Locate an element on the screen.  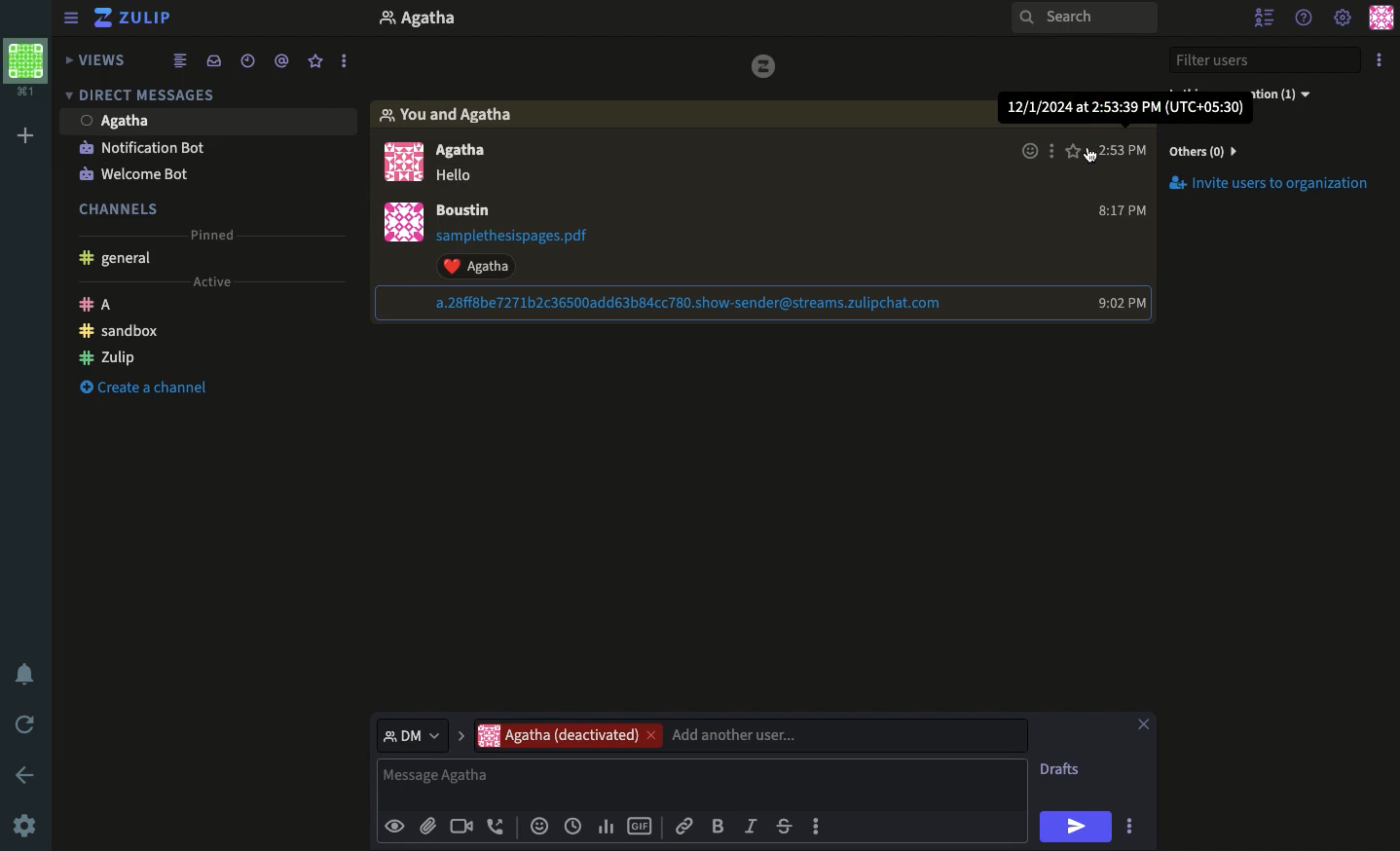
Time is located at coordinates (1127, 109).